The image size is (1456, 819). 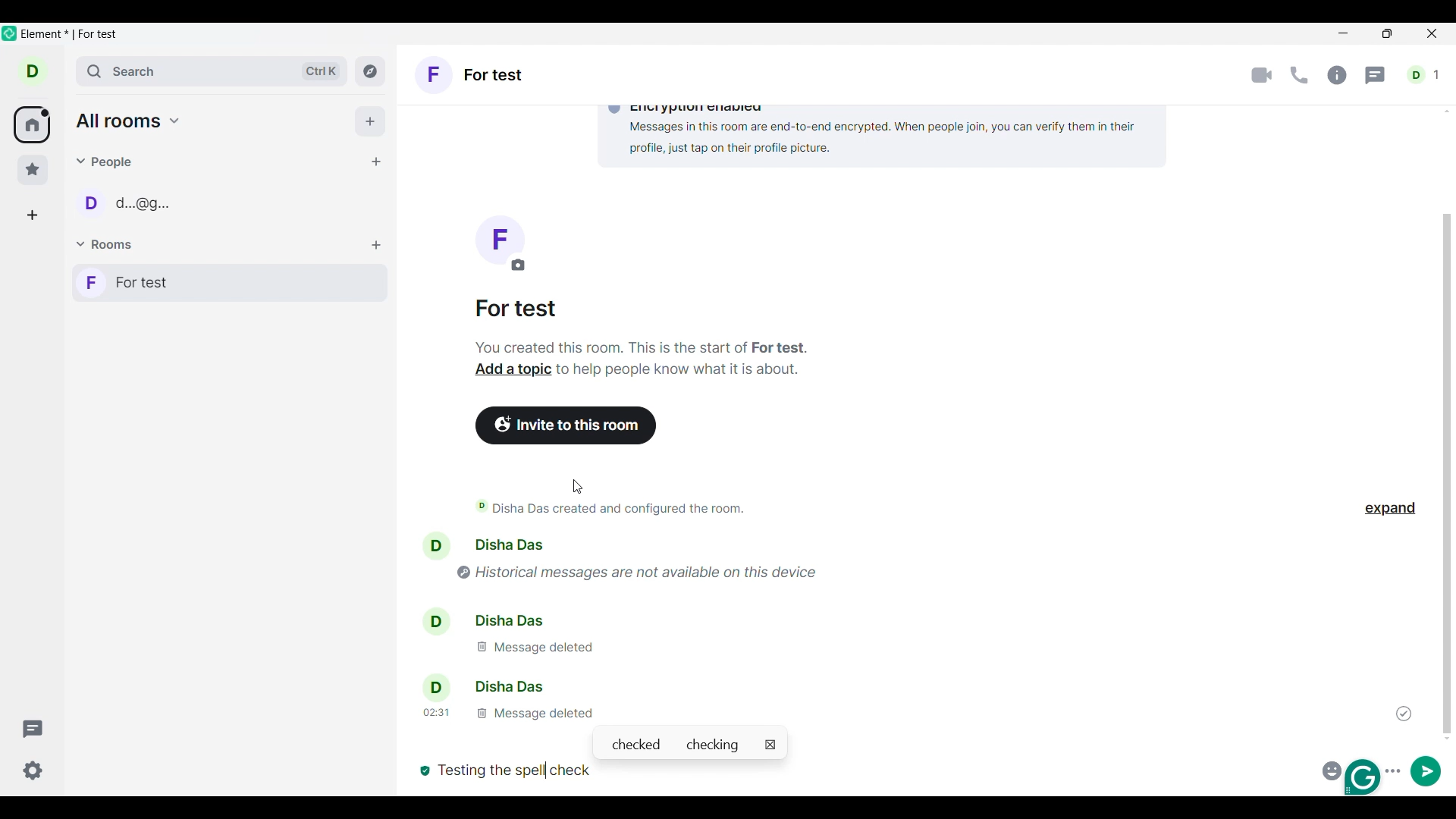 What do you see at coordinates (532, 647) in the screenshot?
I see `message deleted` at bounding box center [532, 647].